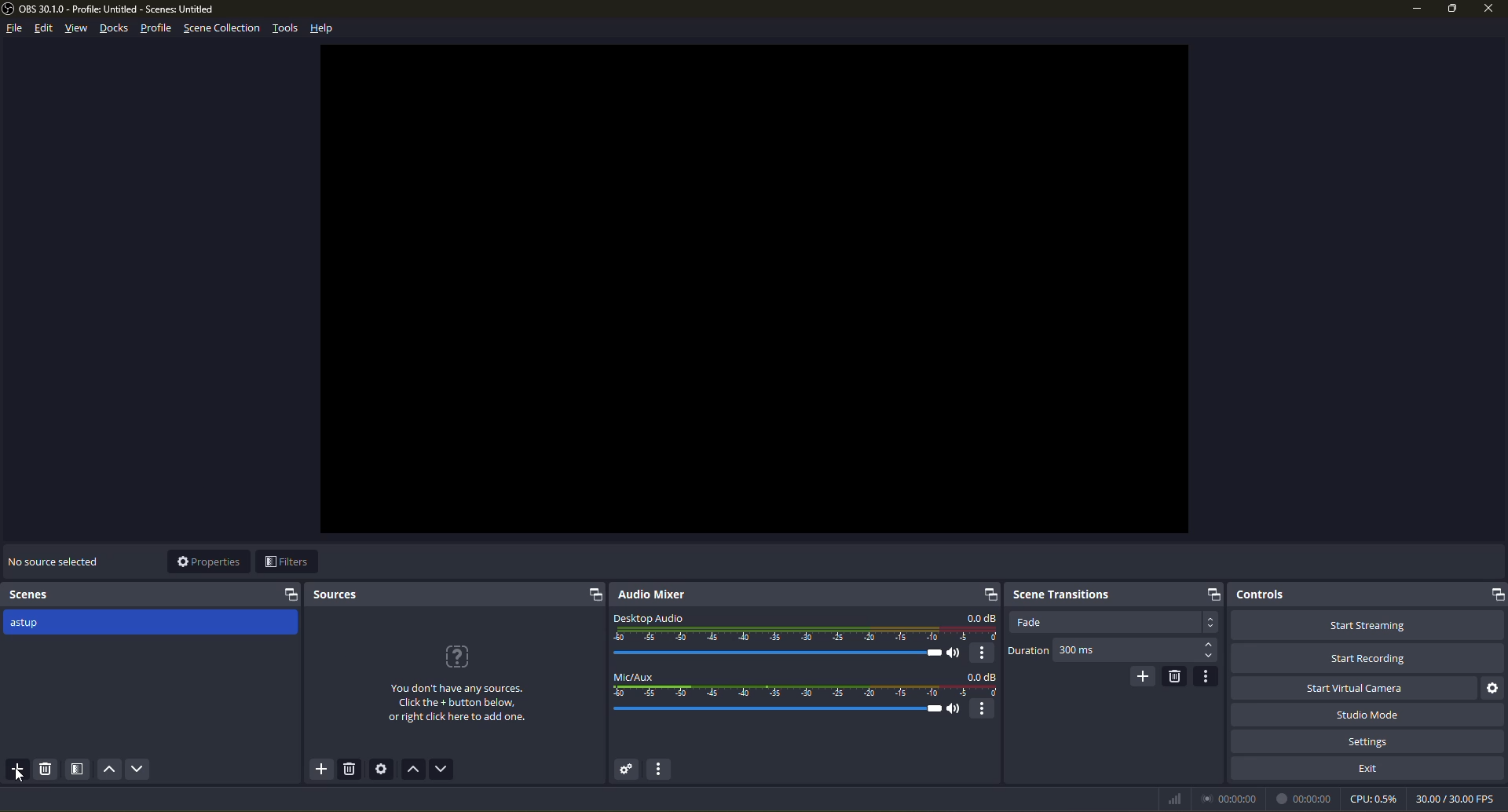  Describe the element at coordinates (139, 768) in the screenshot. I see `move scene down` at that location.